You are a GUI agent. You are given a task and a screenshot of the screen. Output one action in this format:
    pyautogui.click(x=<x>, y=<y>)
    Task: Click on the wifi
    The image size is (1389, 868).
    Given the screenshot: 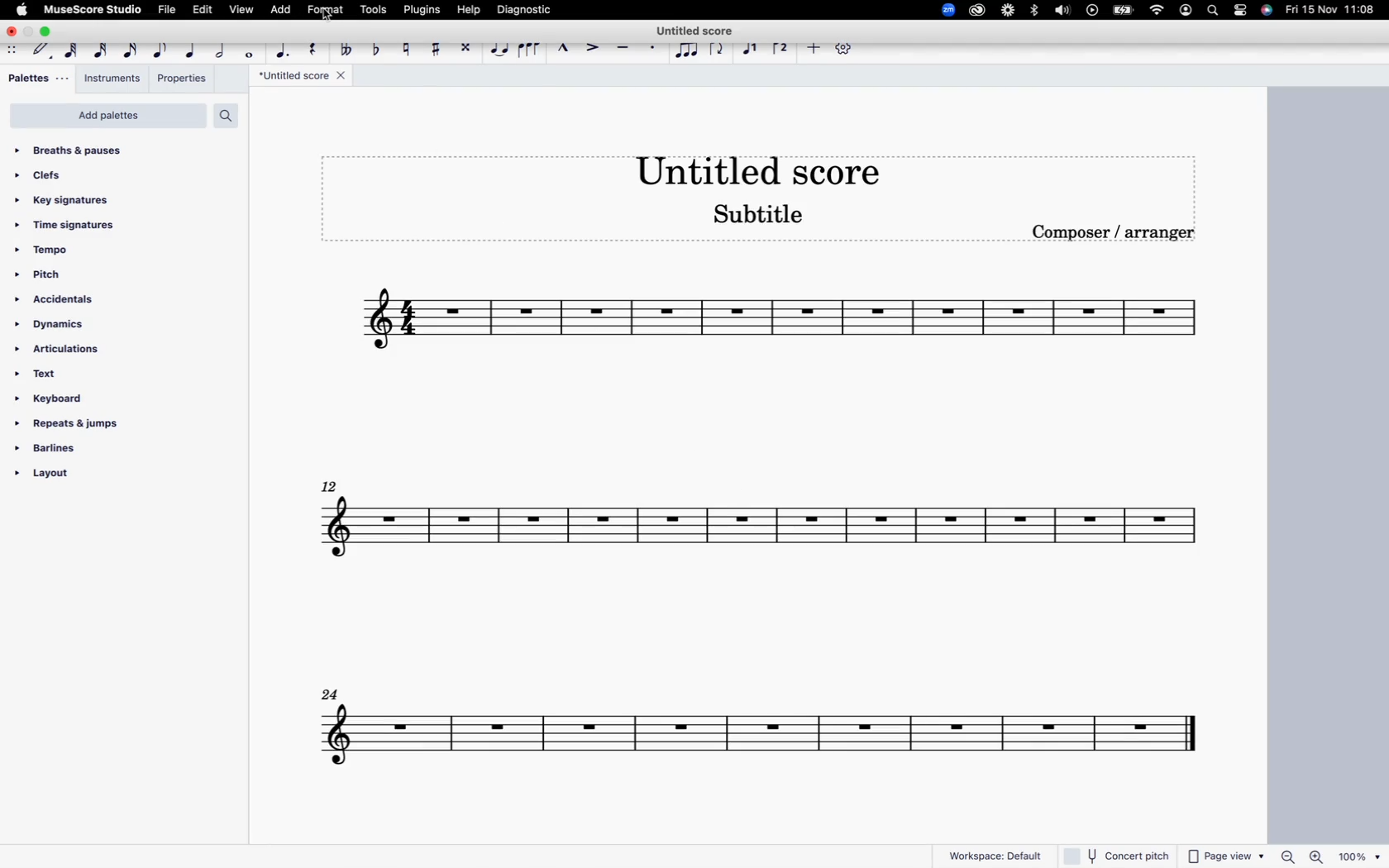 What is the action you would take?
    pyautogui.click(x=1157, y=12)
    